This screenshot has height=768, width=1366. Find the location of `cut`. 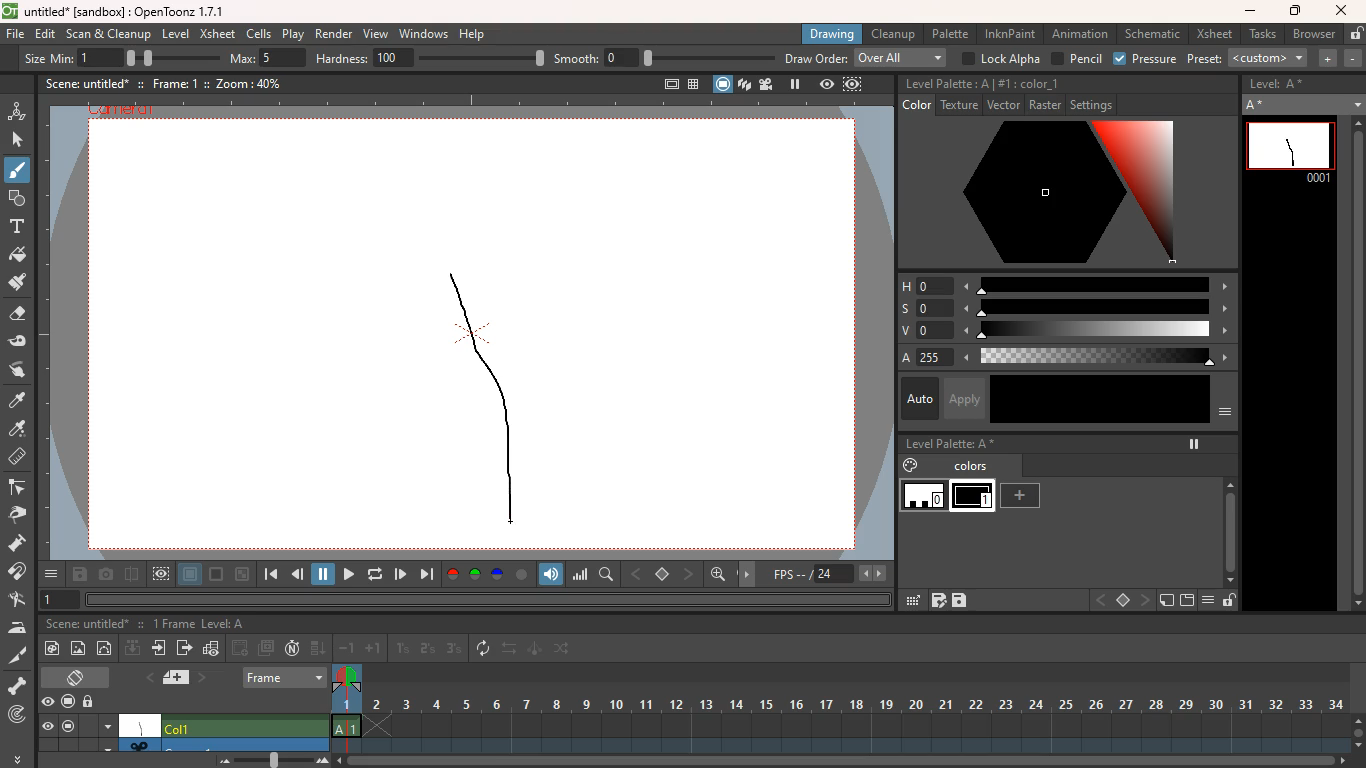

cut is located at coordinates (15, 654).